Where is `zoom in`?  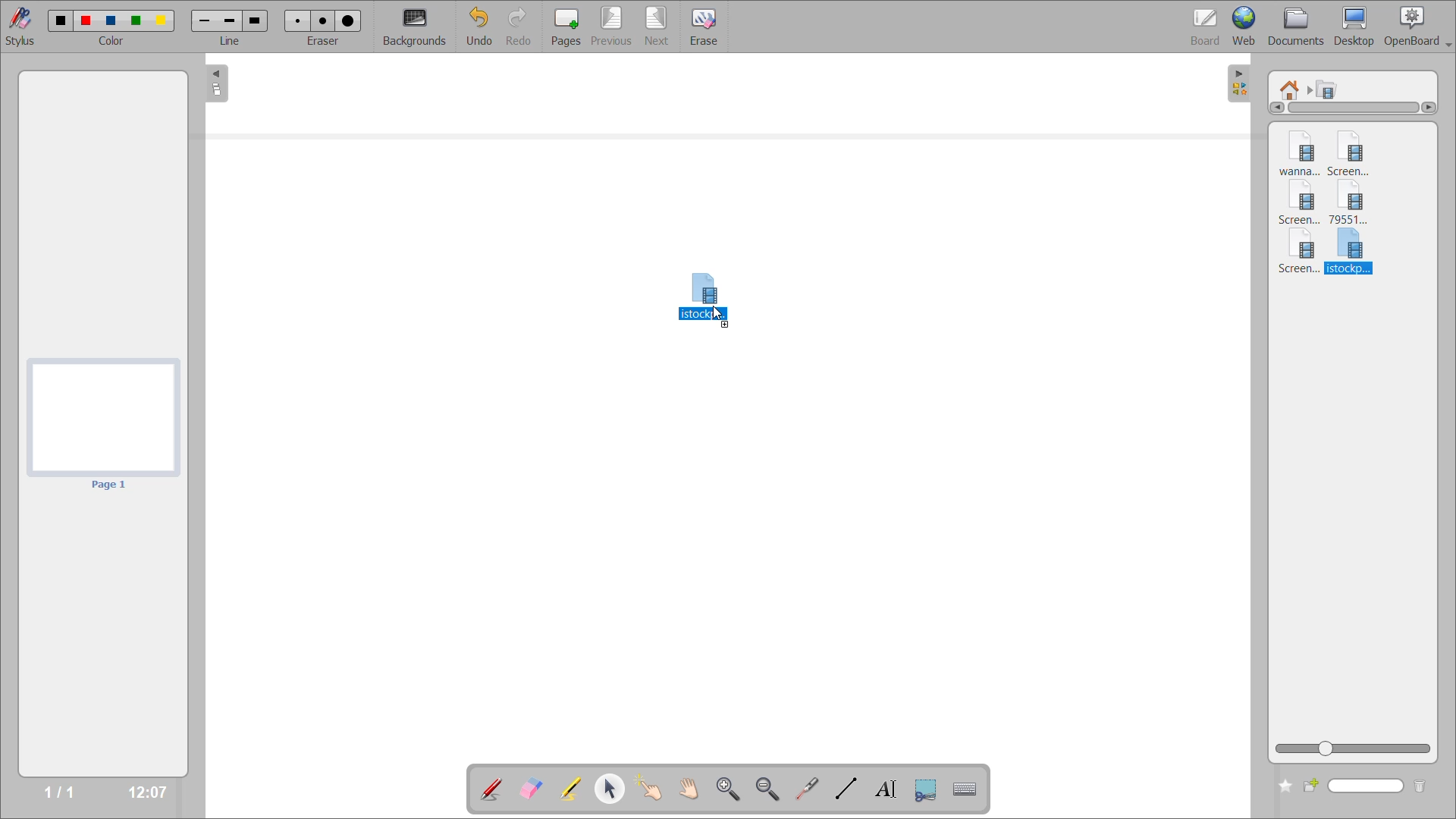
zoom in is located at coordinates (728, 788).